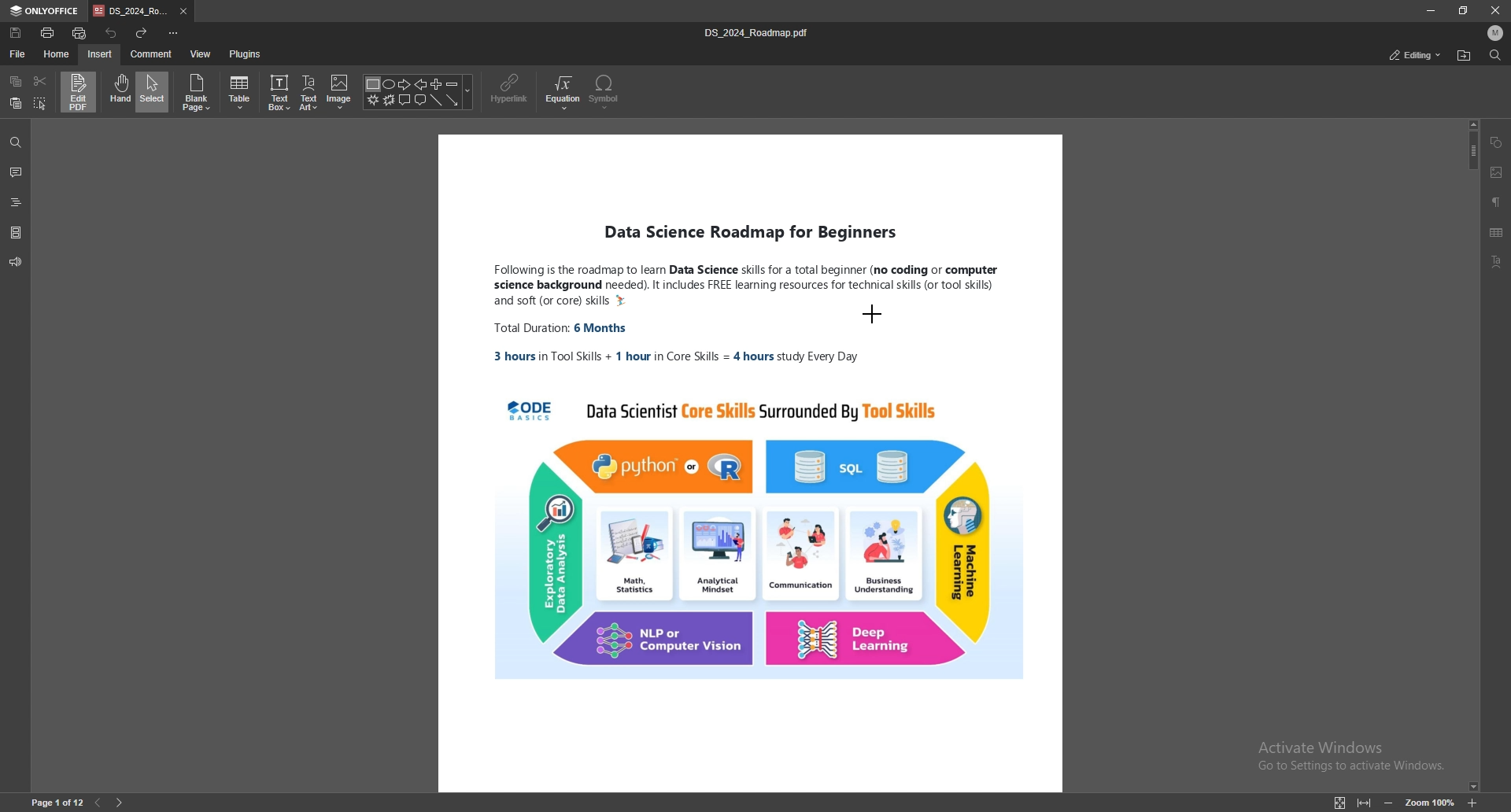 The width and height of the screenshot is (1511, 812). I want to click on comment, so click(17, 172).